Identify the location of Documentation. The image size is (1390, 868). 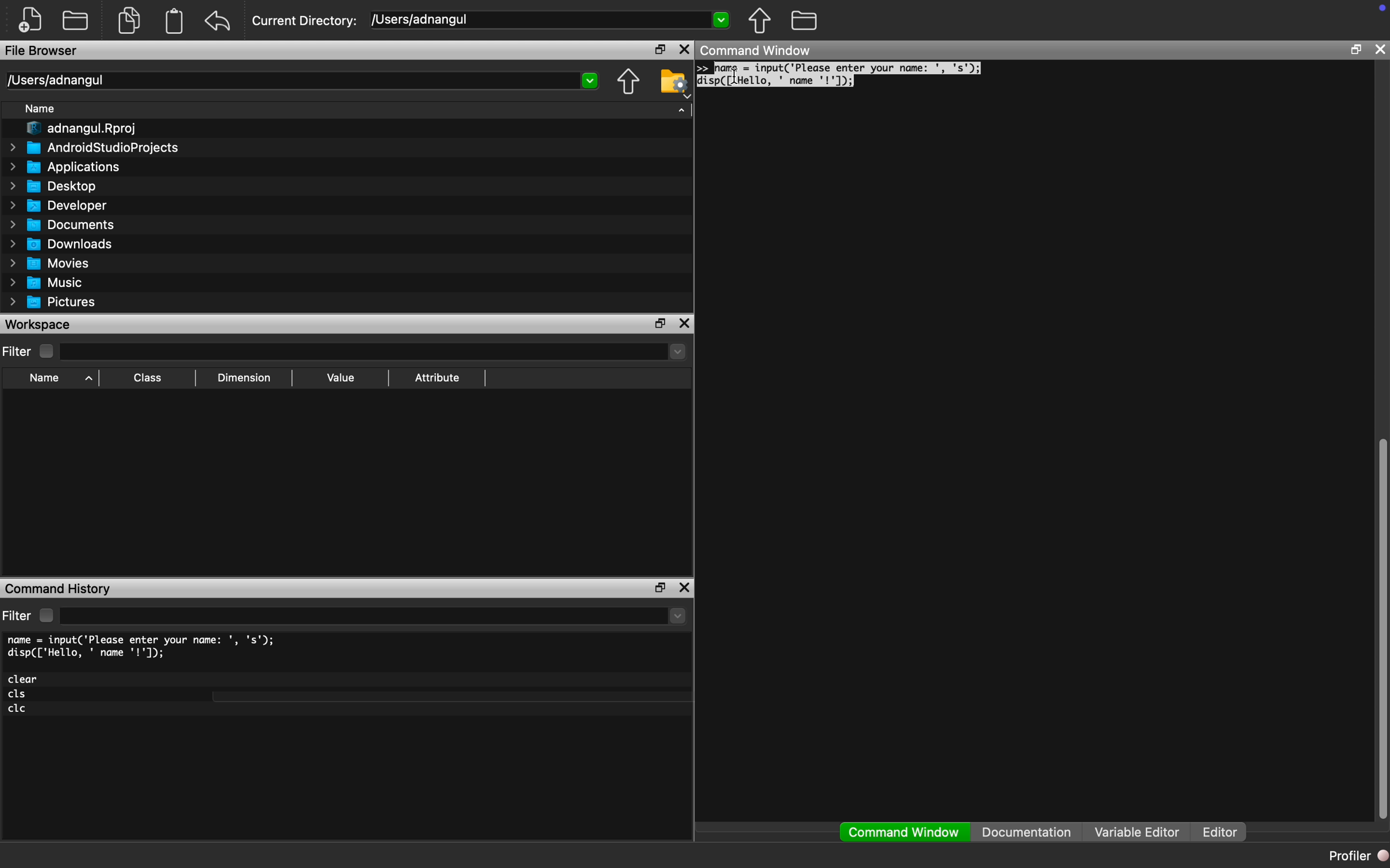
(1026, 832).